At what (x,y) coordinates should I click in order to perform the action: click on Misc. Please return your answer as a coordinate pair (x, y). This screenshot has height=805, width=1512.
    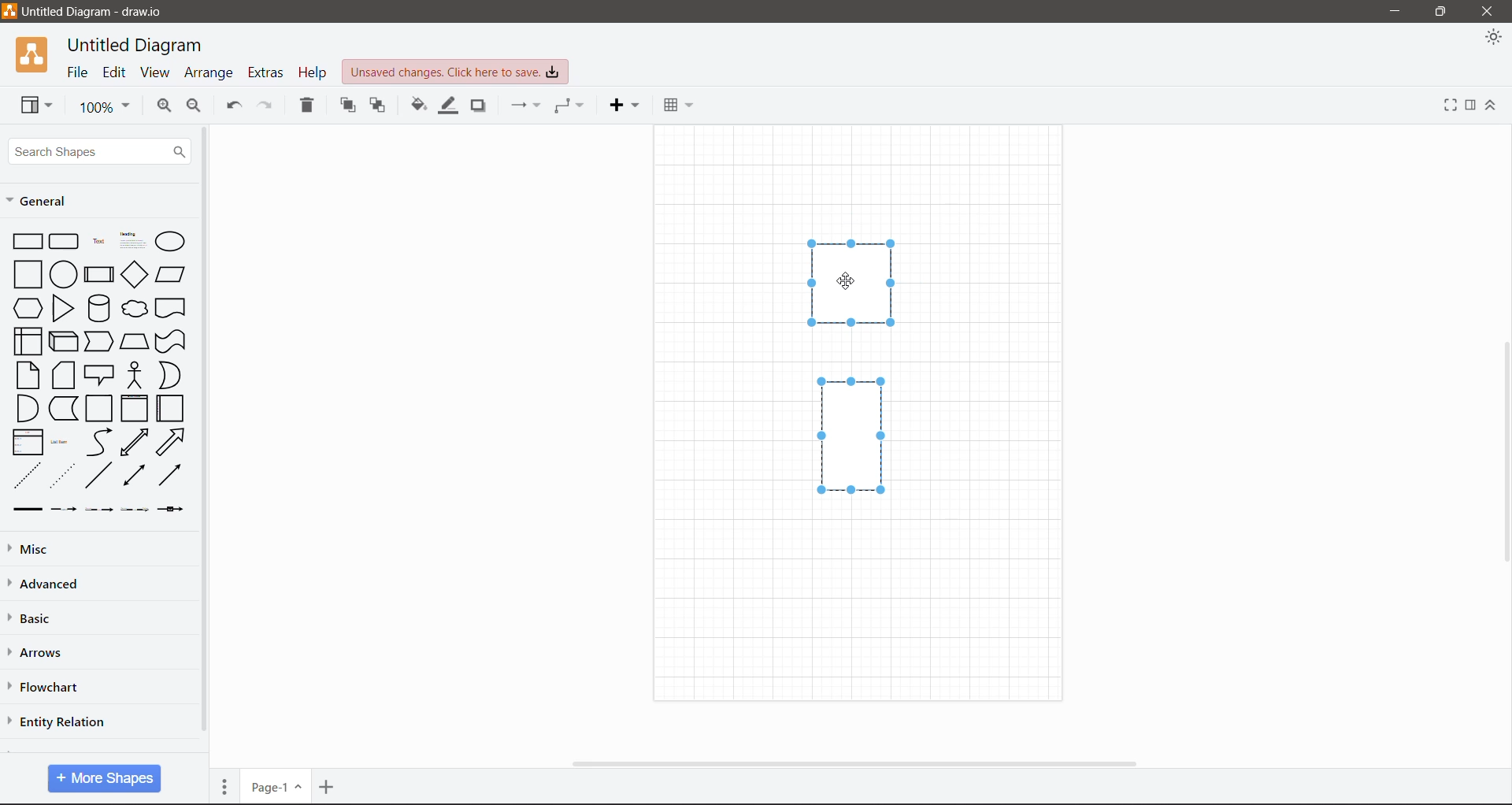
    Looking at the image, I should click on (34, 551).